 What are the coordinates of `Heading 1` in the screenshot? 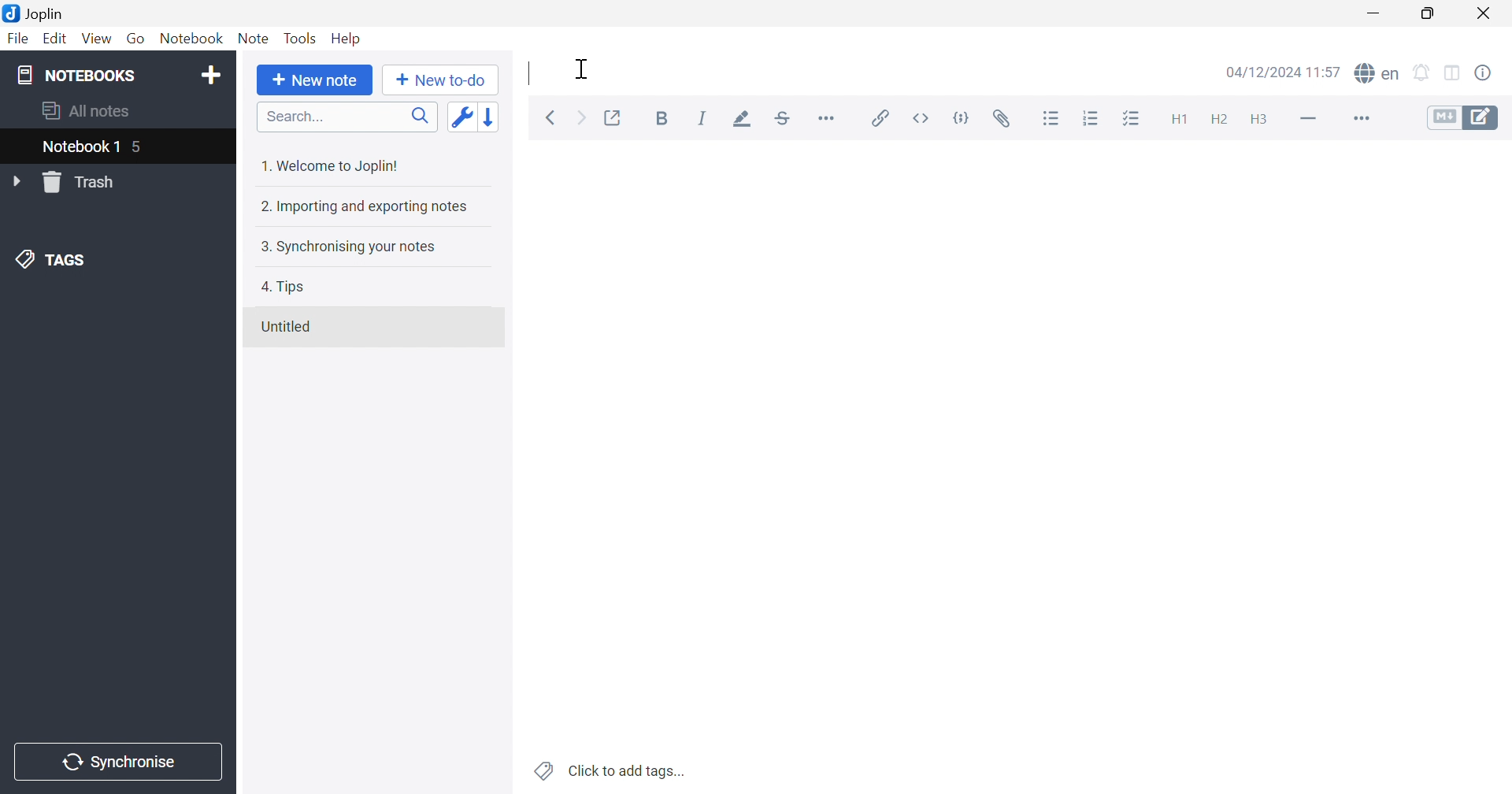 It's located at (1182, 119).